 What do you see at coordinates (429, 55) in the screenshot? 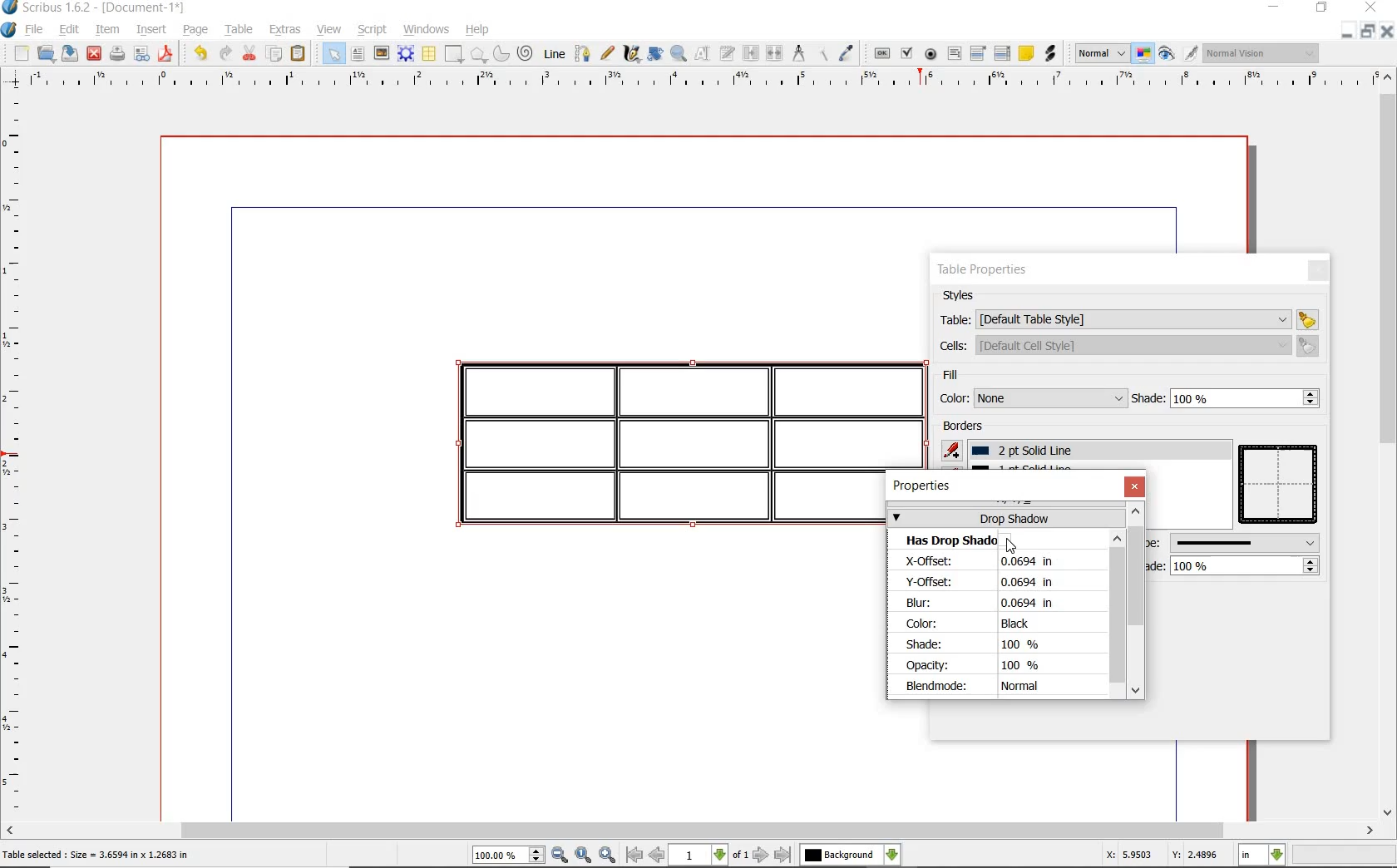
I see `table` at bounding box center [429, 55].